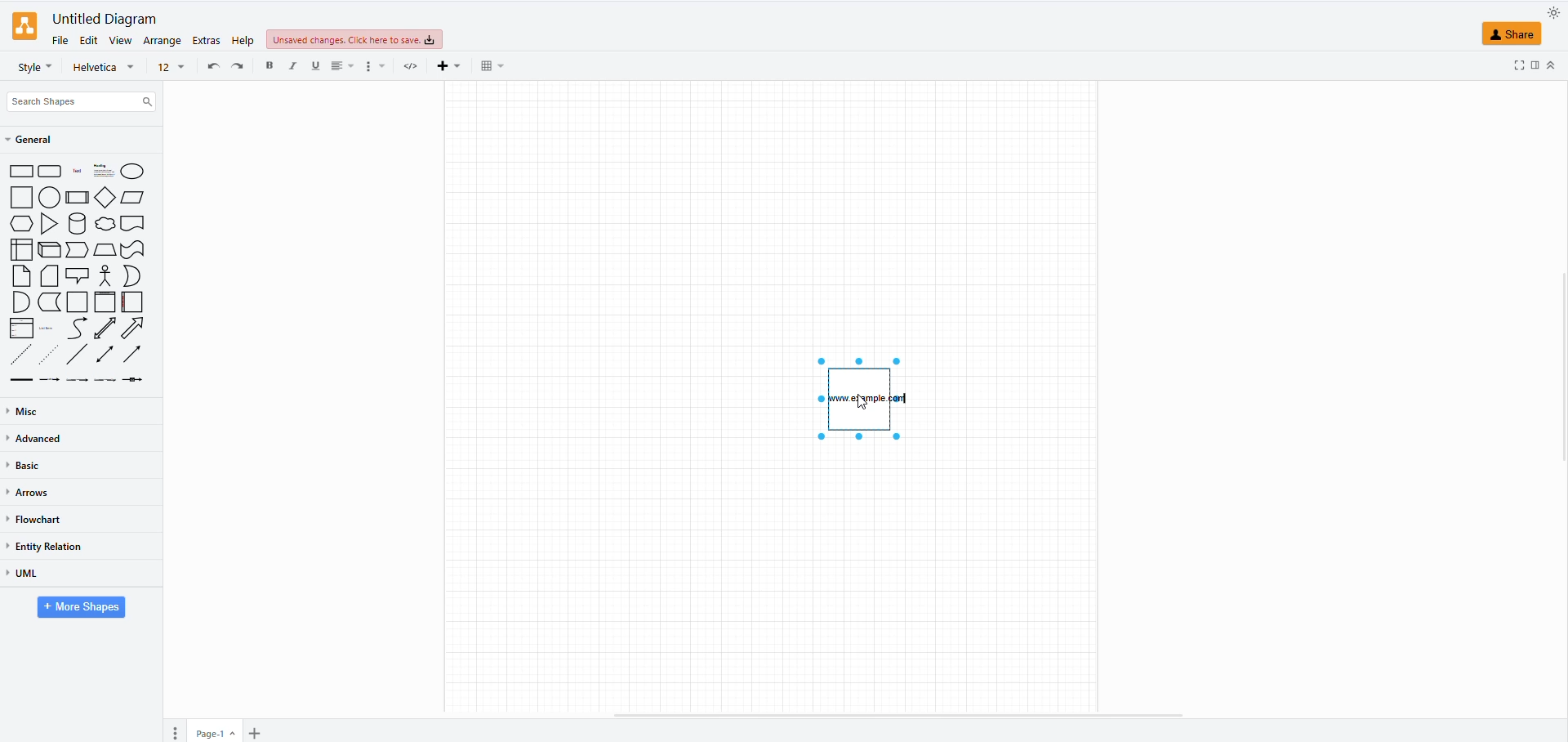 The image size is (1568, 742). I want to click on process, so click(77, 197).